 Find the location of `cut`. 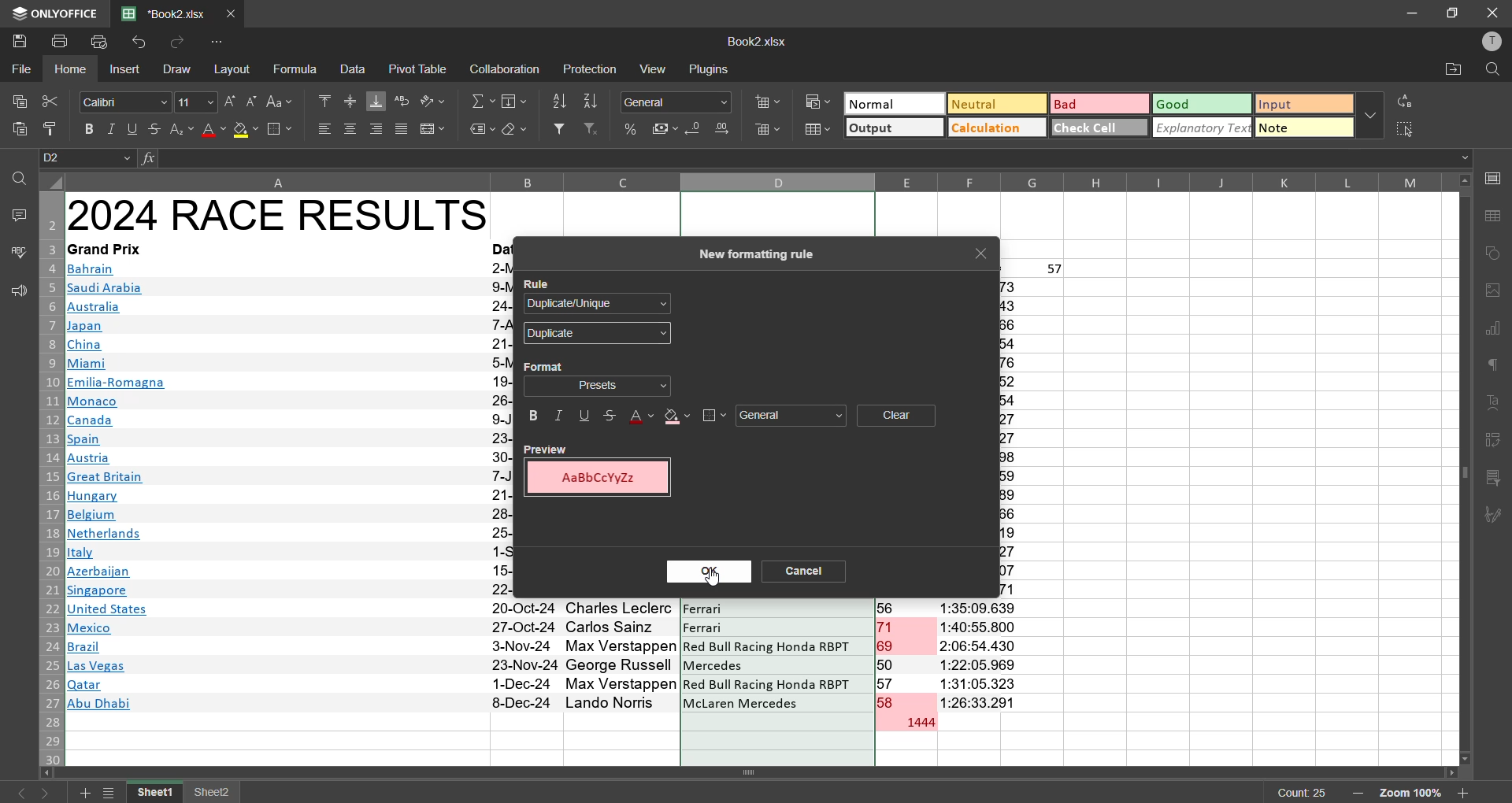

cut is located at coordinates (48, 101).